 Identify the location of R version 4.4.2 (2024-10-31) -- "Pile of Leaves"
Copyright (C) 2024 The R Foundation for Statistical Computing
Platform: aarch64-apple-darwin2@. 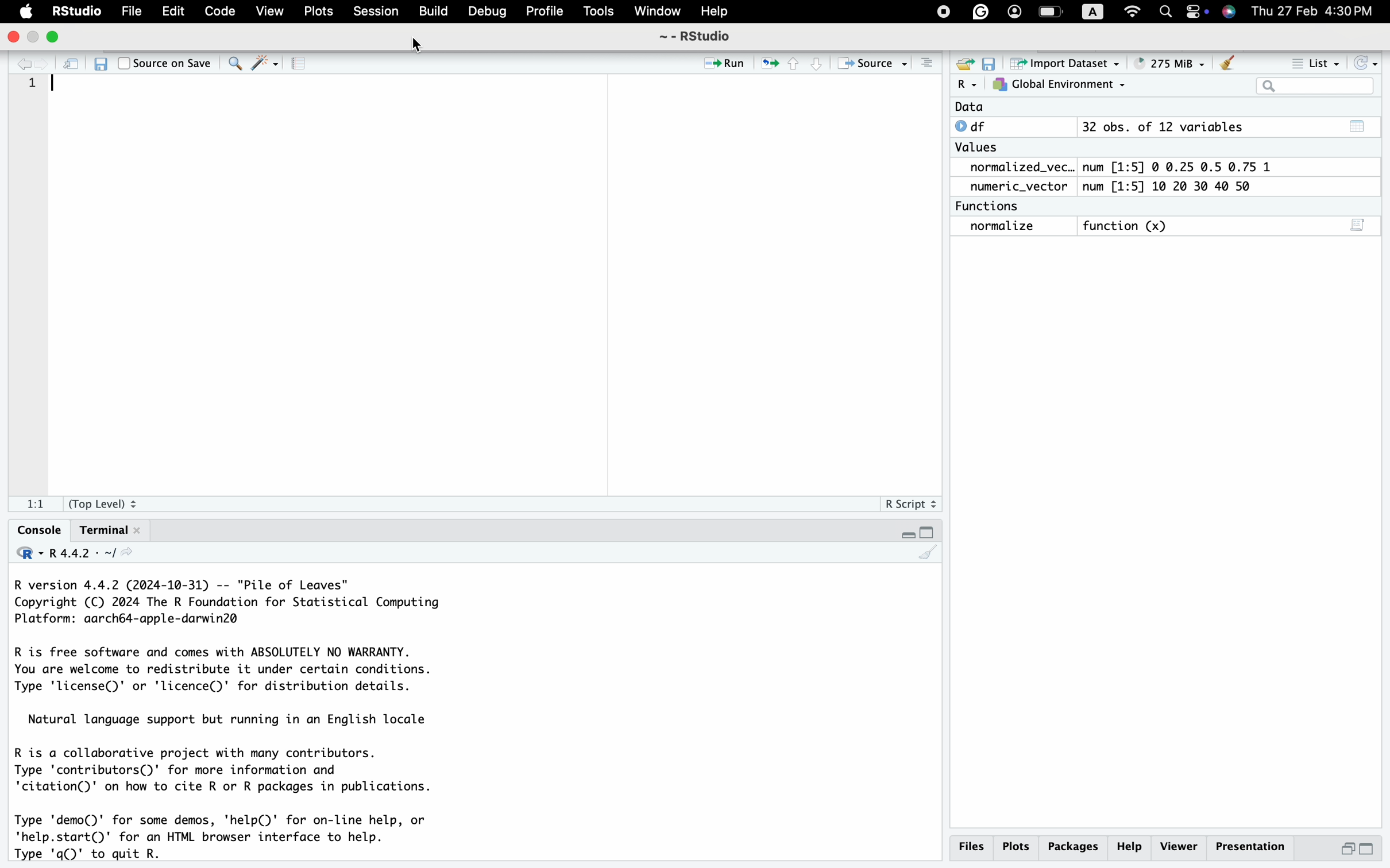
(237, 604).